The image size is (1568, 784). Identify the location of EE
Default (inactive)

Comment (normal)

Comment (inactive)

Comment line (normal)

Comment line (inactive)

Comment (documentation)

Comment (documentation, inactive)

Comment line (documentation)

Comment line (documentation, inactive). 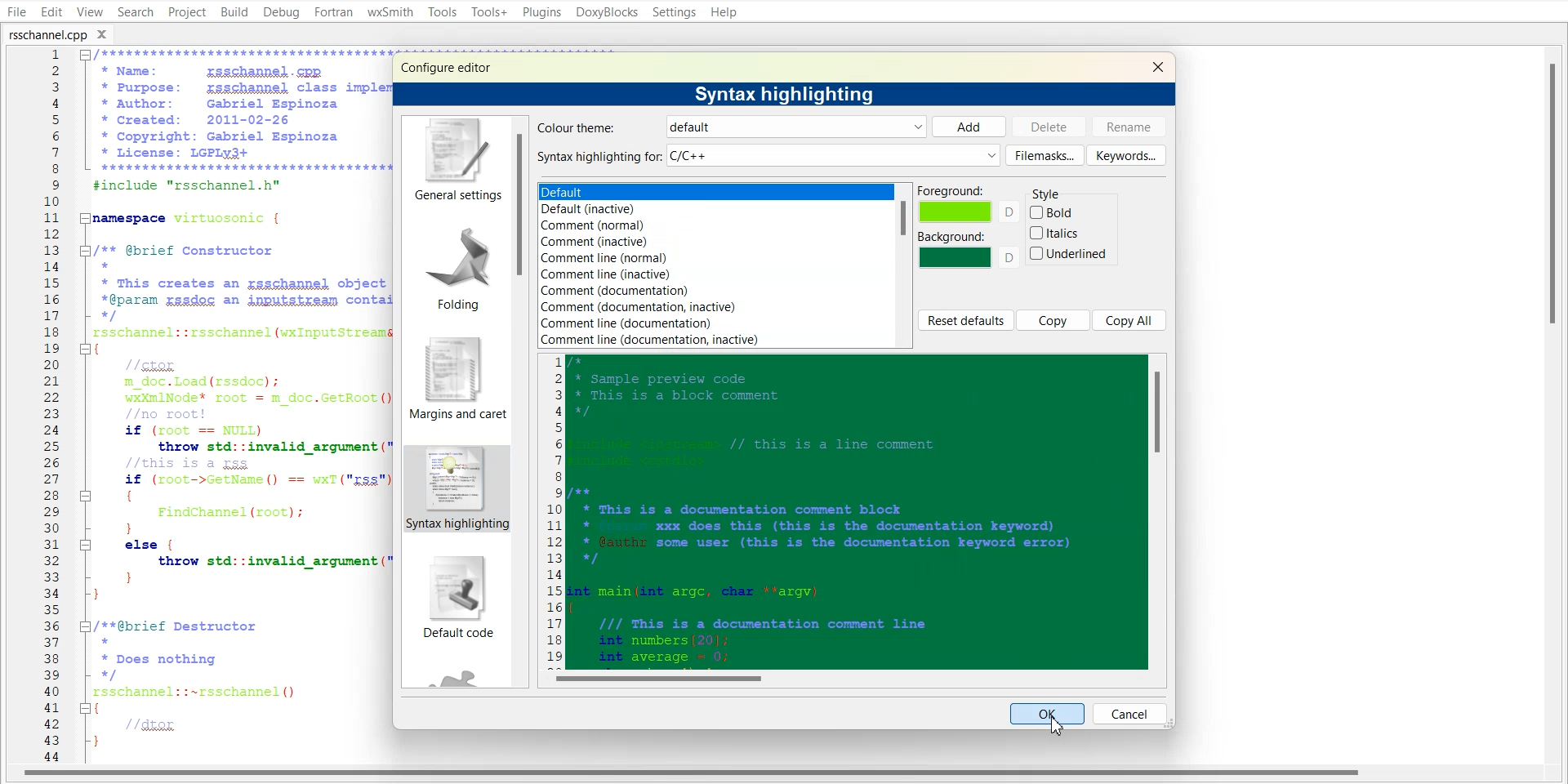
(714, 265).